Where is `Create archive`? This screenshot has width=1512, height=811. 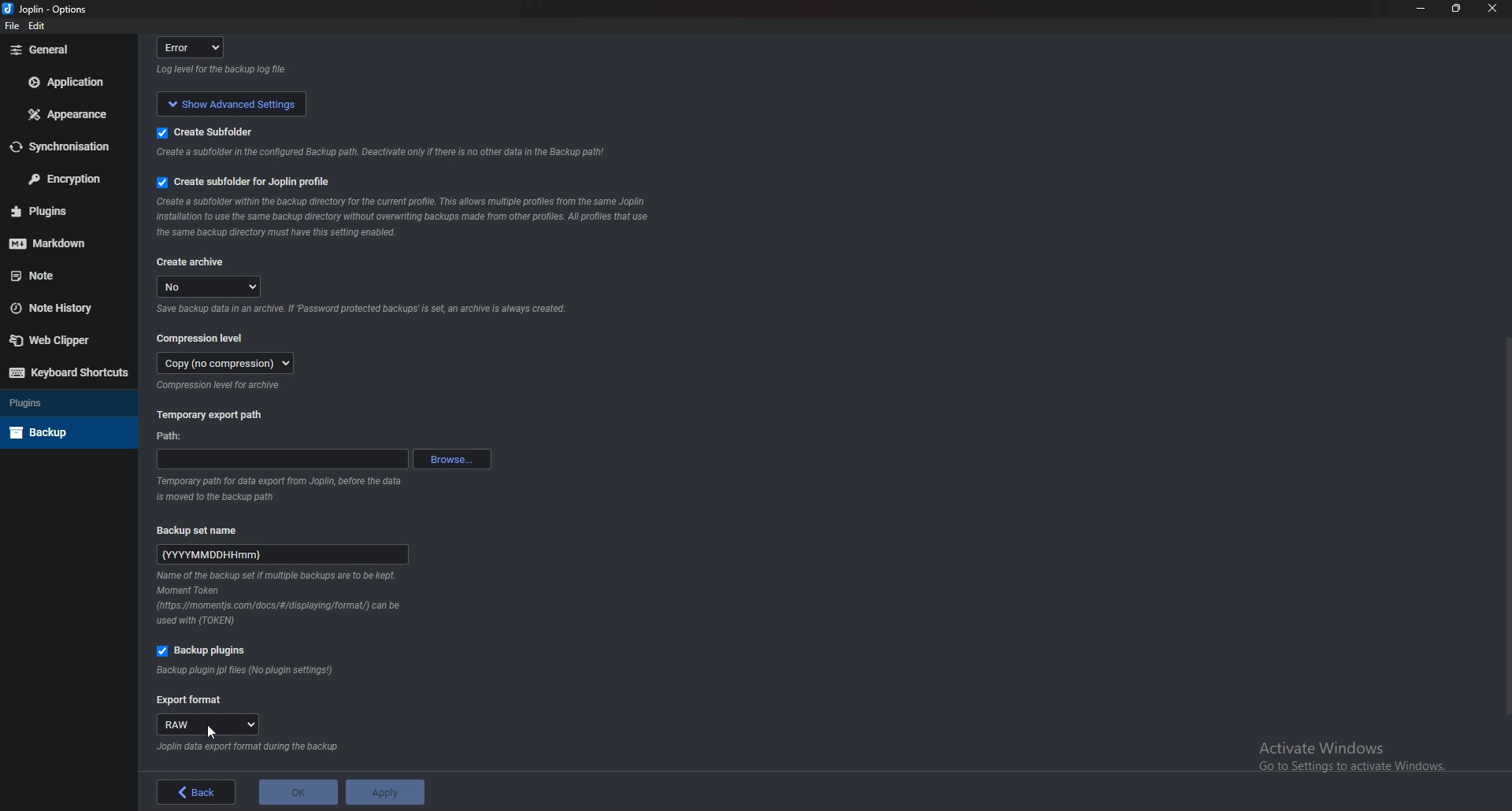
Create archive is located at coordinates (191, 263).